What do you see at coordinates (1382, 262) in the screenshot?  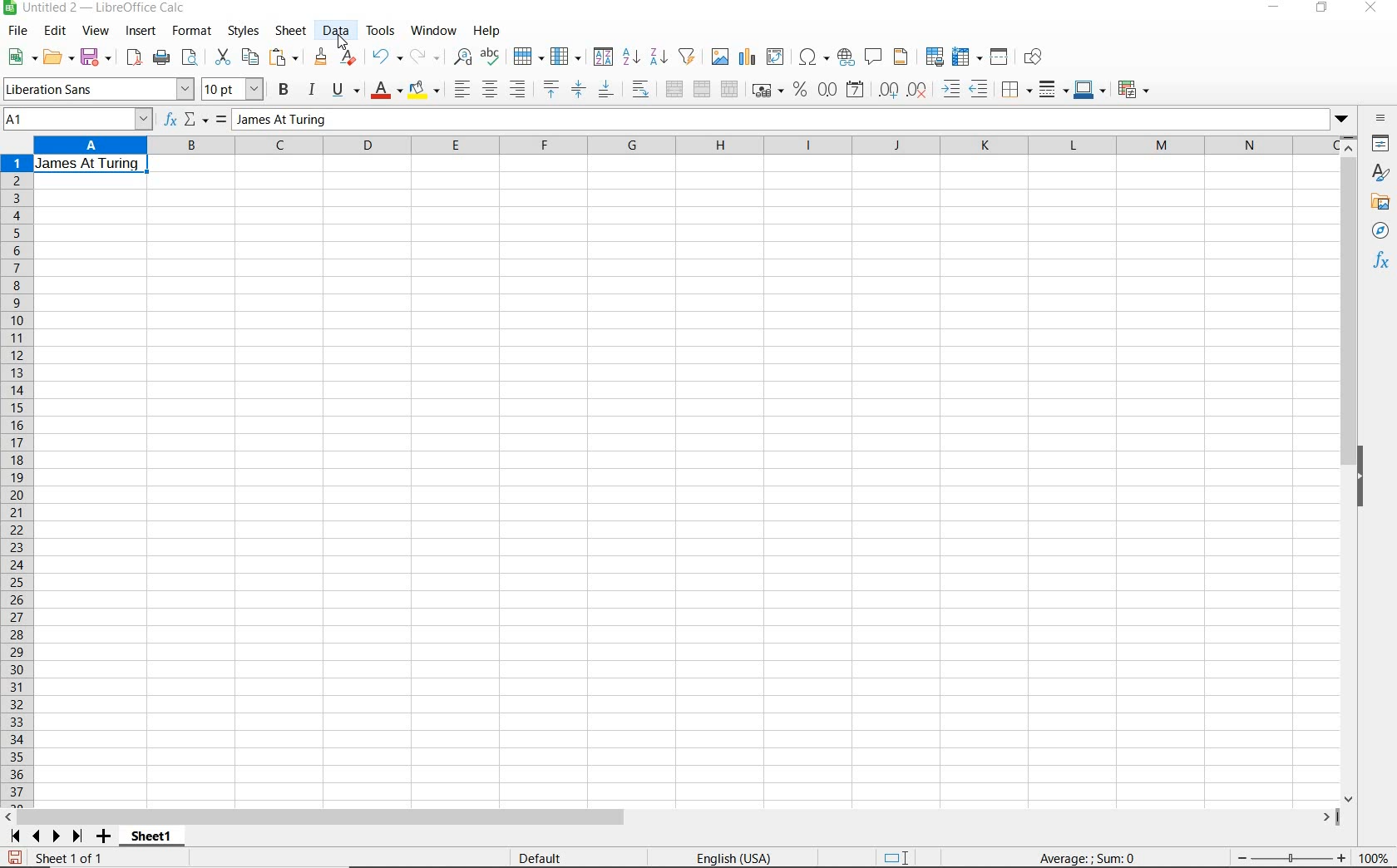 I see `functions` at bounding box center [1382, 262].